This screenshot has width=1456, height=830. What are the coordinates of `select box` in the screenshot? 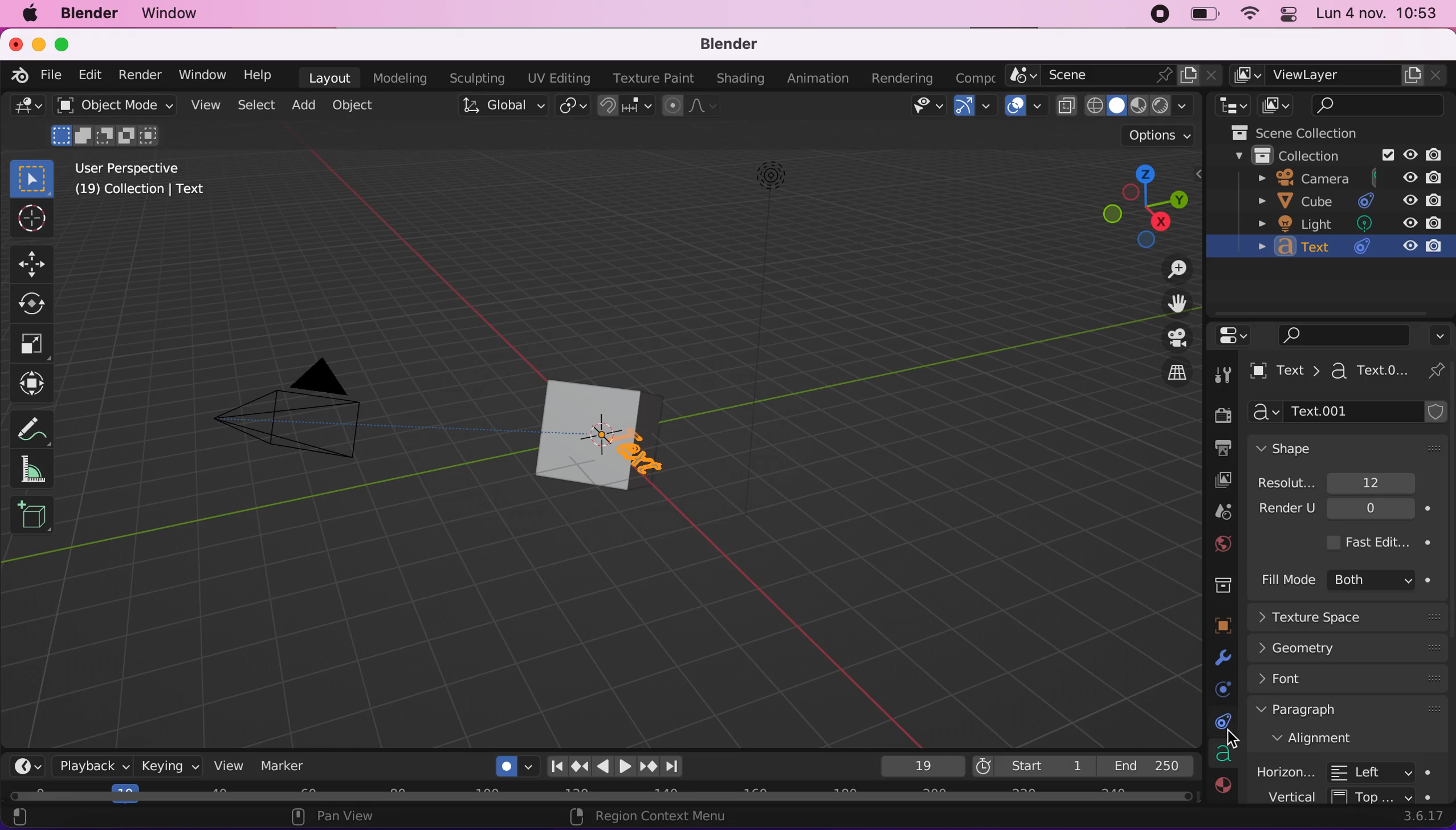 It's located at (33, 177).